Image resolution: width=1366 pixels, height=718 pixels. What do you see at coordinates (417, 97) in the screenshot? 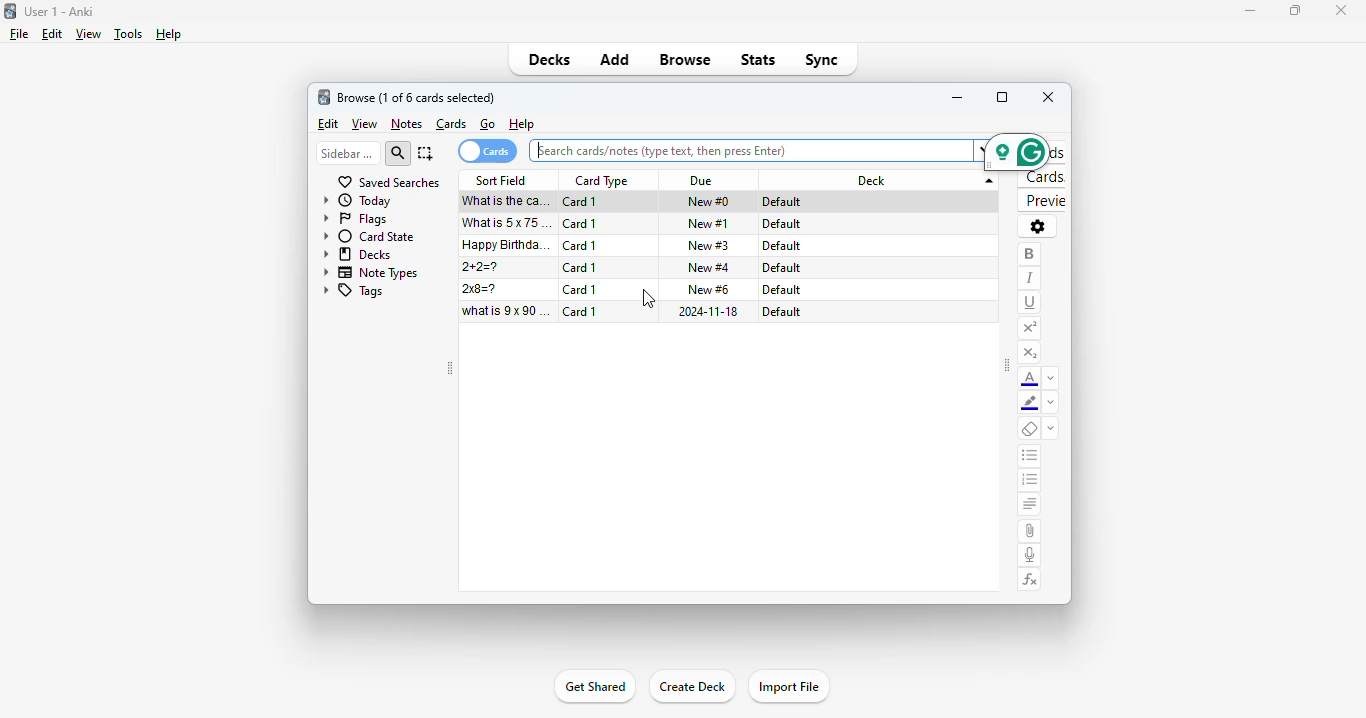
I see `browse (1 of 6 cards selected)` at bounding box center [417, 97].